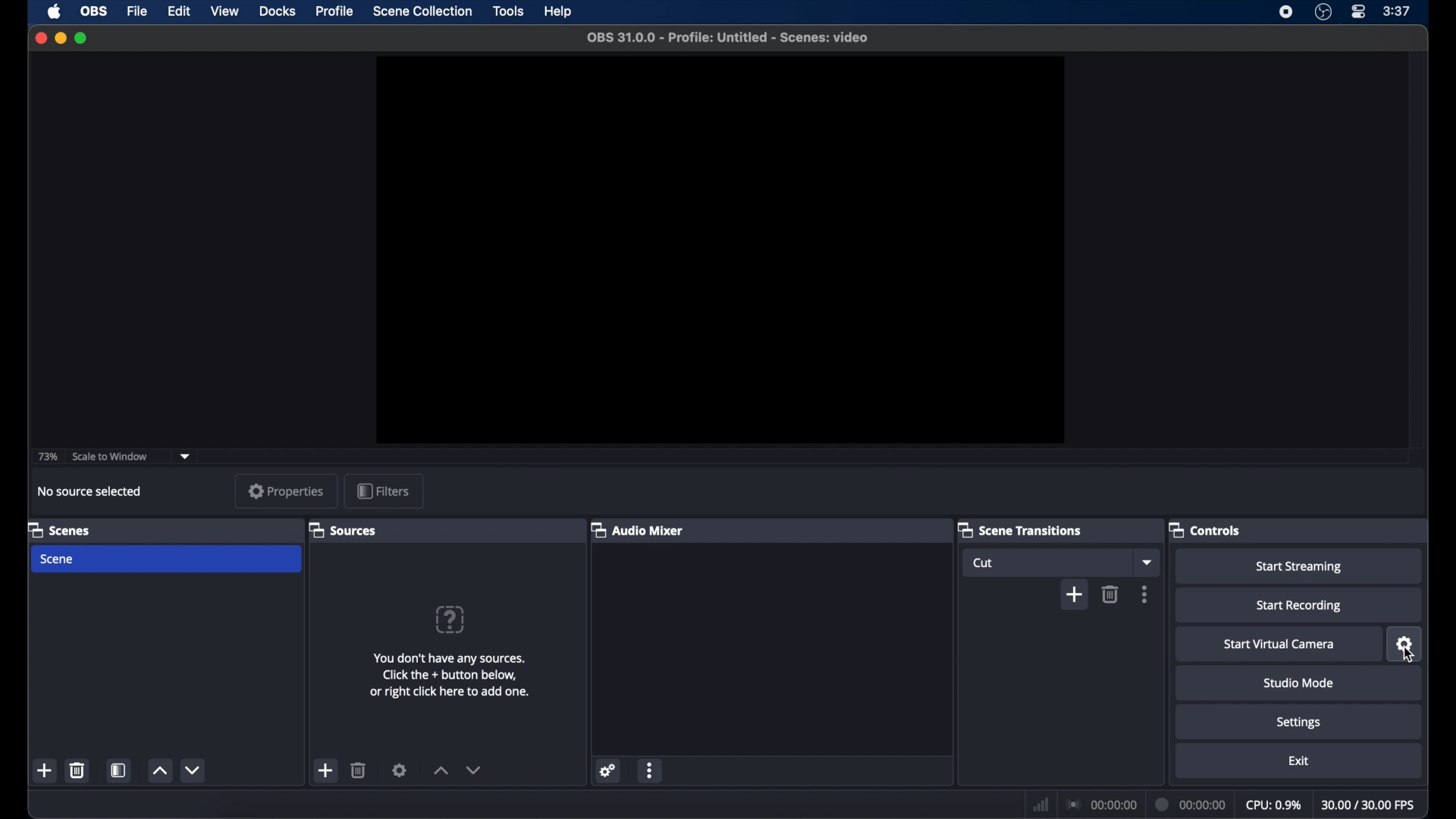 The height and width of the screenshot is (819, 1456). Describe the element at coordinates (1405, 644) in the screenshot. I see `settings` at that location.